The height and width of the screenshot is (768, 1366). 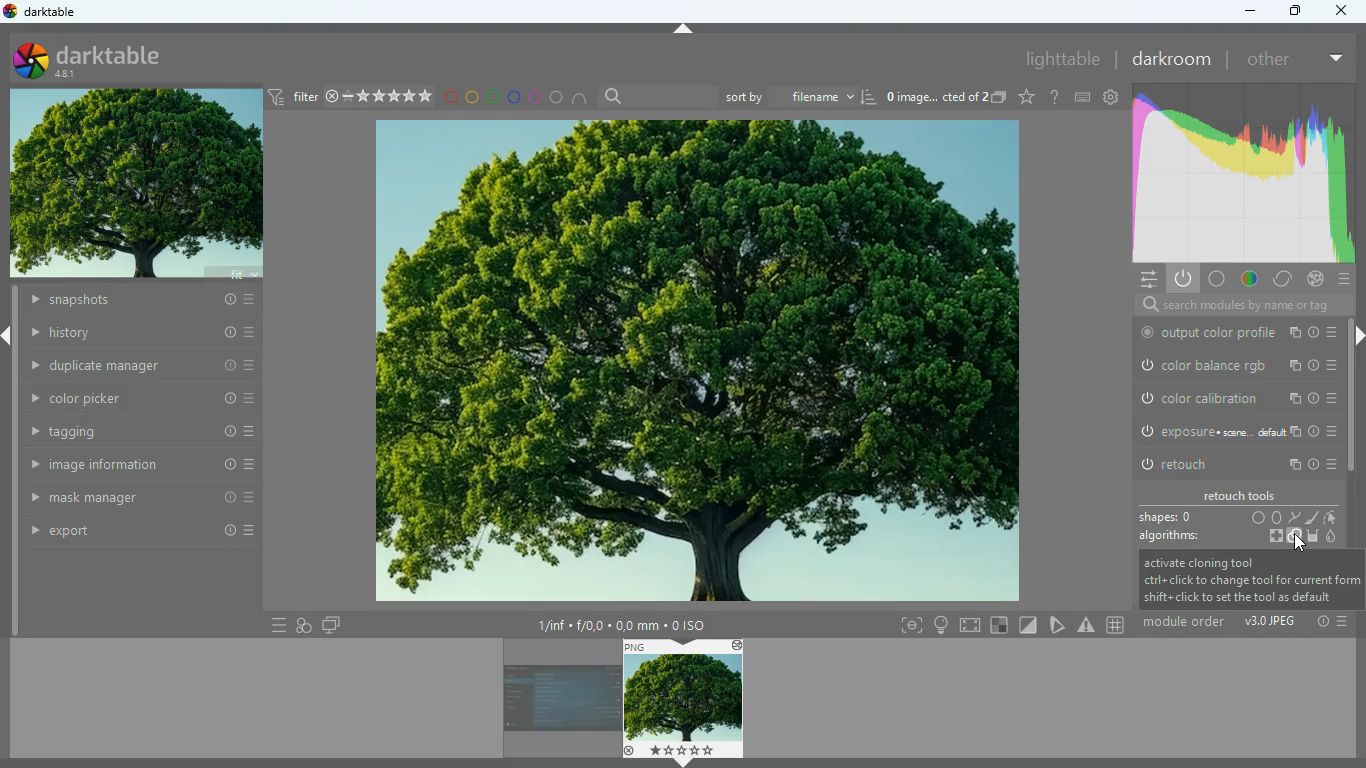 I want to click on color calibration, so click(x=1235, y=399).